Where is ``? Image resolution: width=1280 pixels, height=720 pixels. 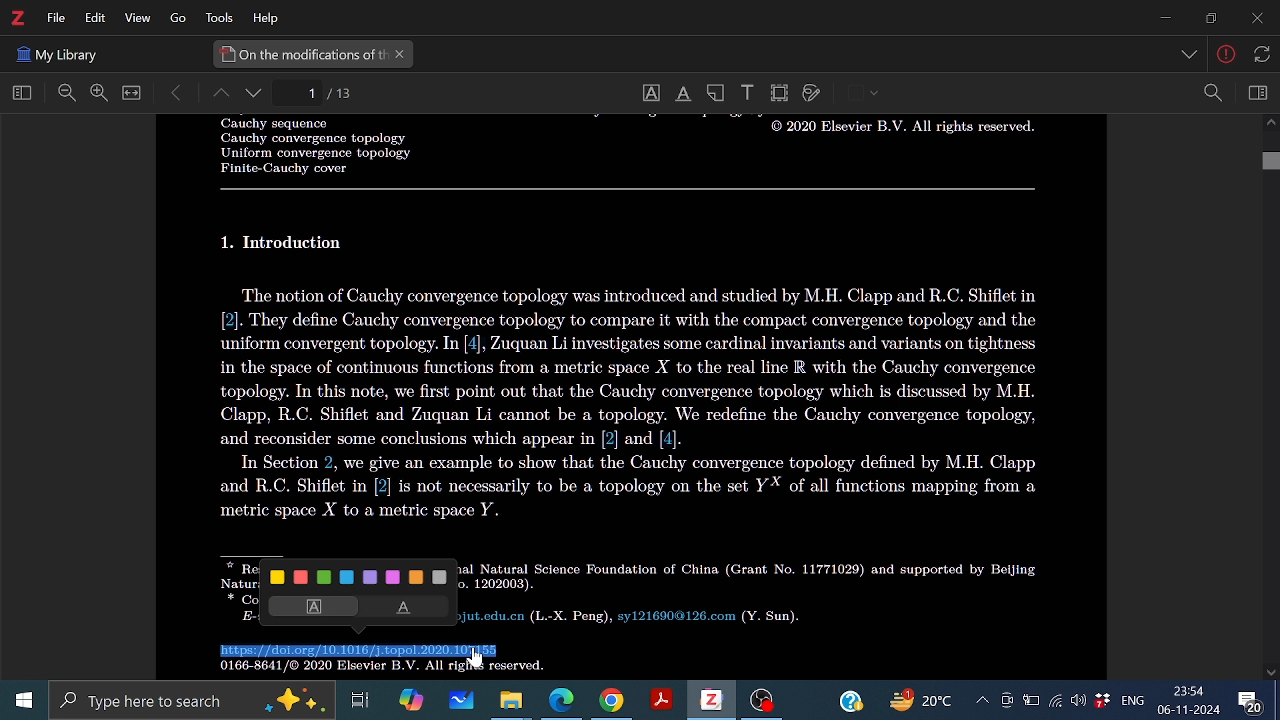  is located at coordinates (374, 669).